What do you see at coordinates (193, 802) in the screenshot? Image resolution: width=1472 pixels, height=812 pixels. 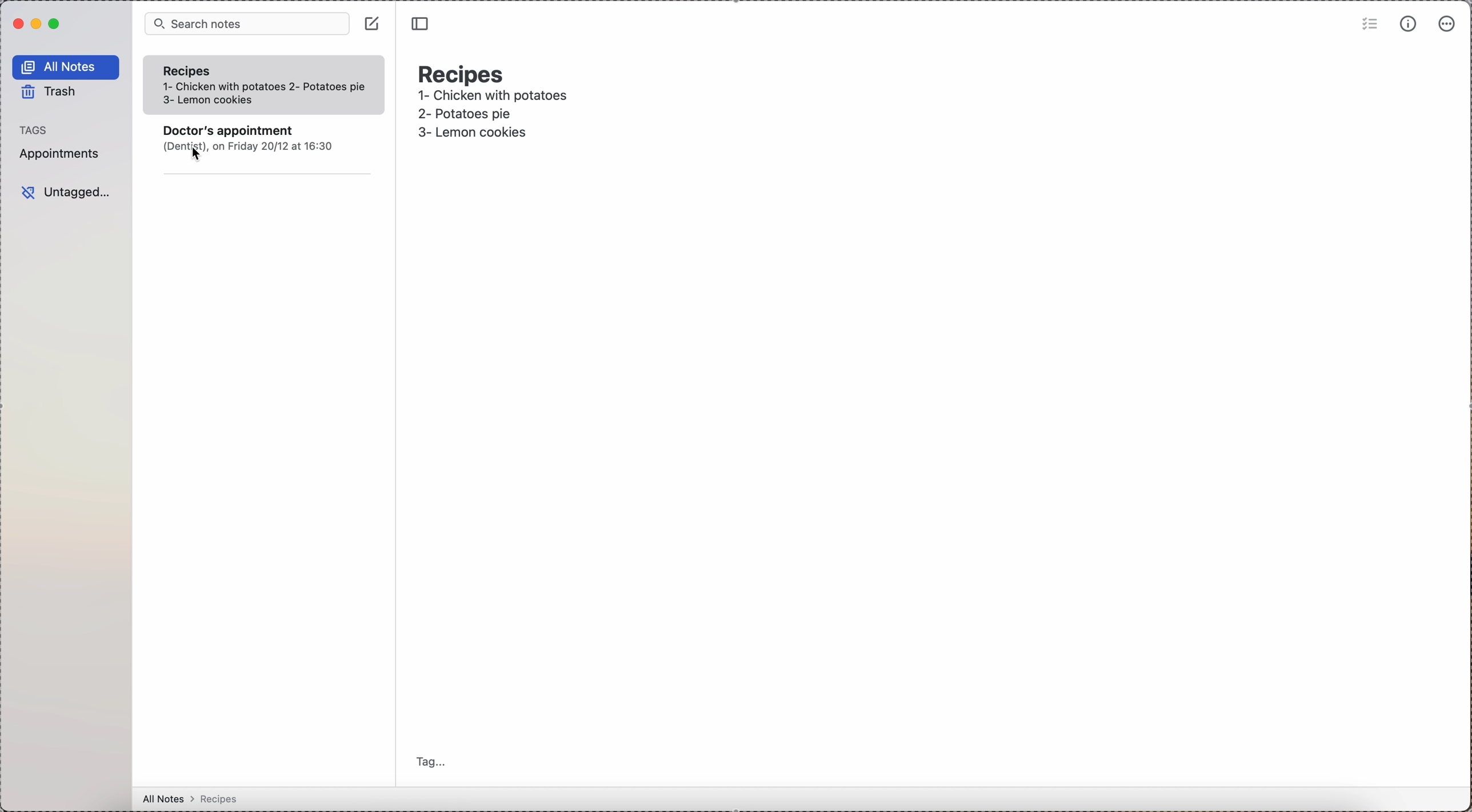 I see `all notes > recipes` at bounding box center [193, 802].